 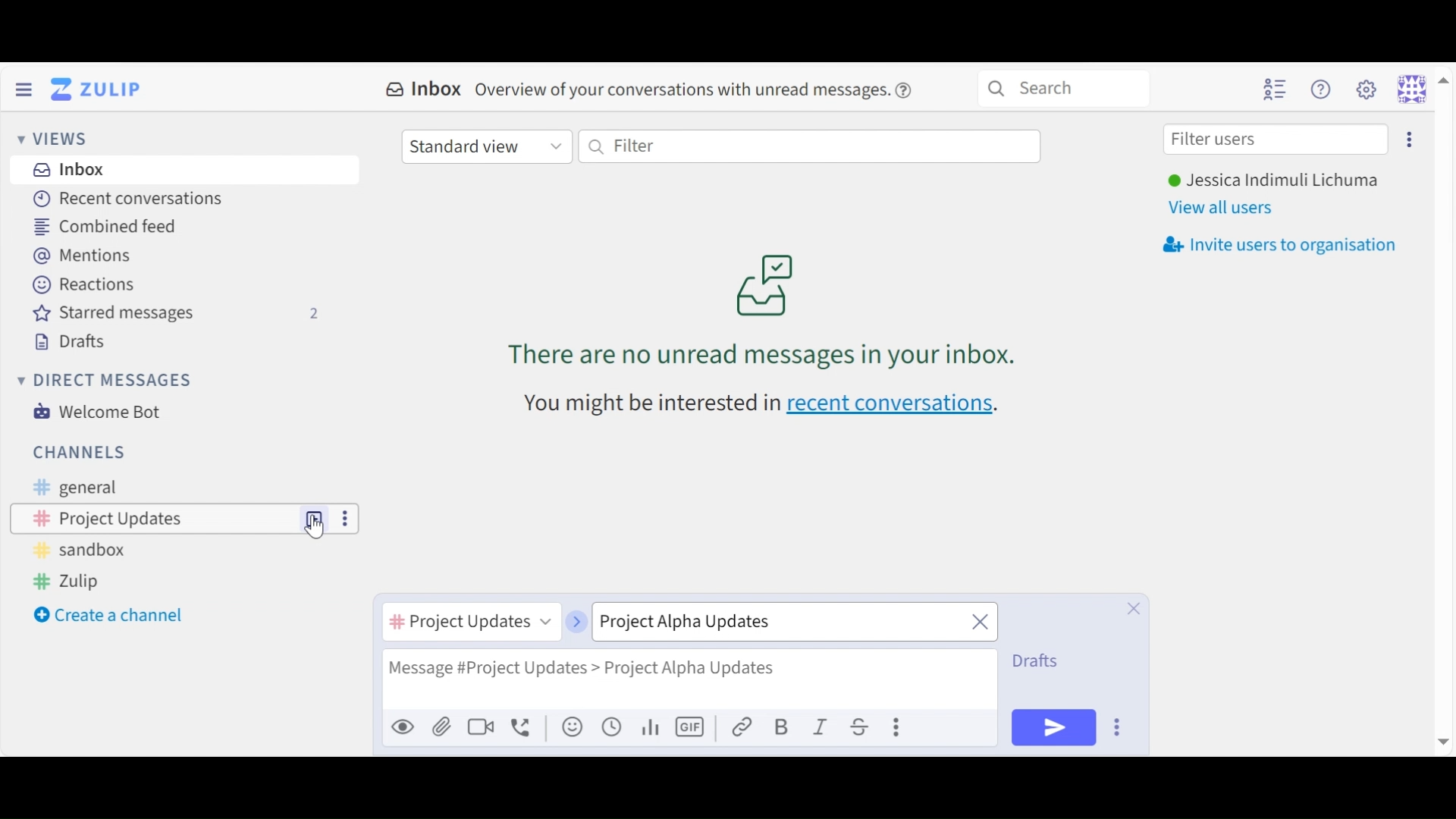 What do you see at coordinates (77, 582) in the screenshot?
I see `Zulip Channel` at bounding box center [77, 582].